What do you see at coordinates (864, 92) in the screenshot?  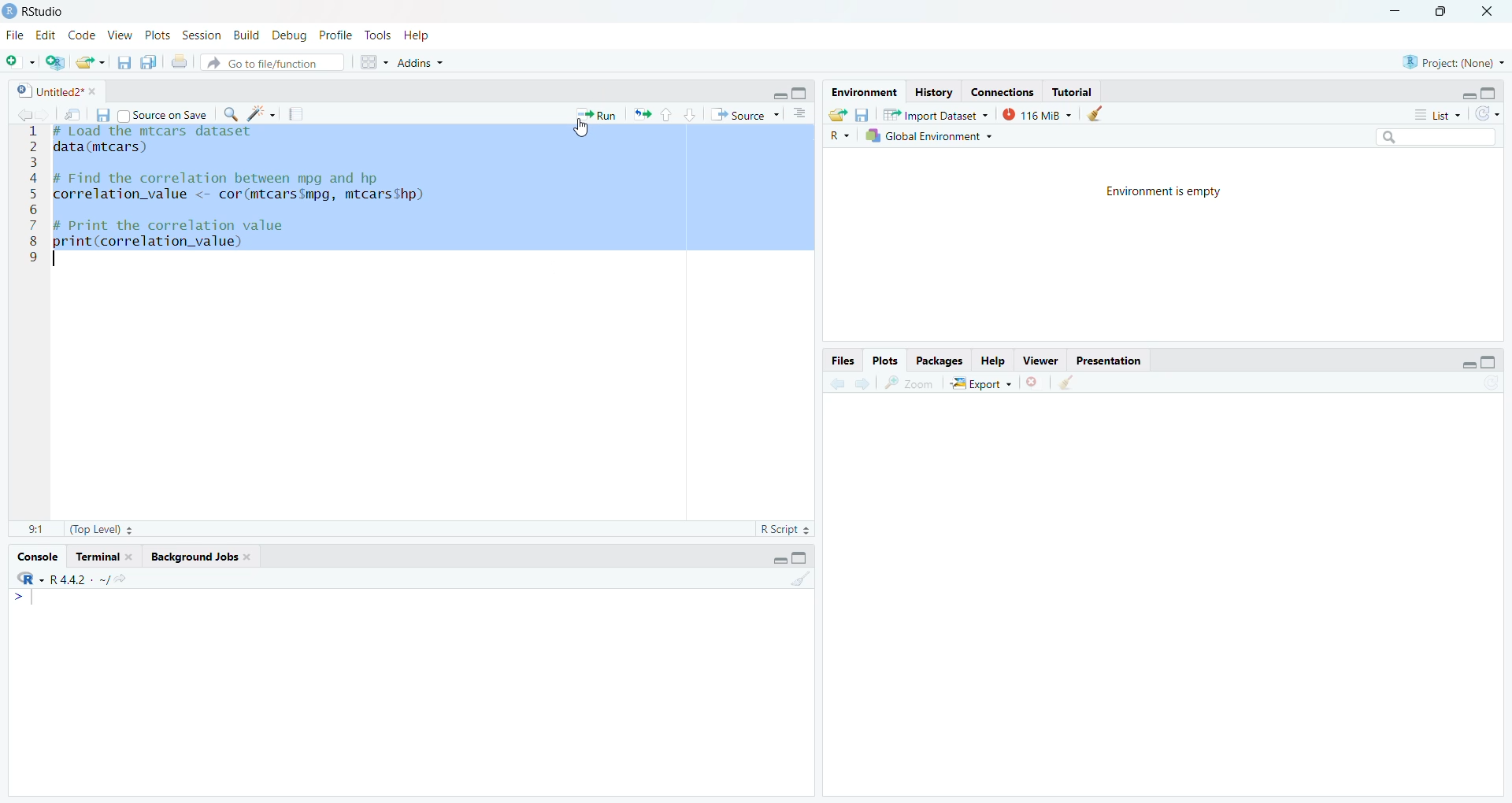 I see `Environment` at bounding box center [864, 92].